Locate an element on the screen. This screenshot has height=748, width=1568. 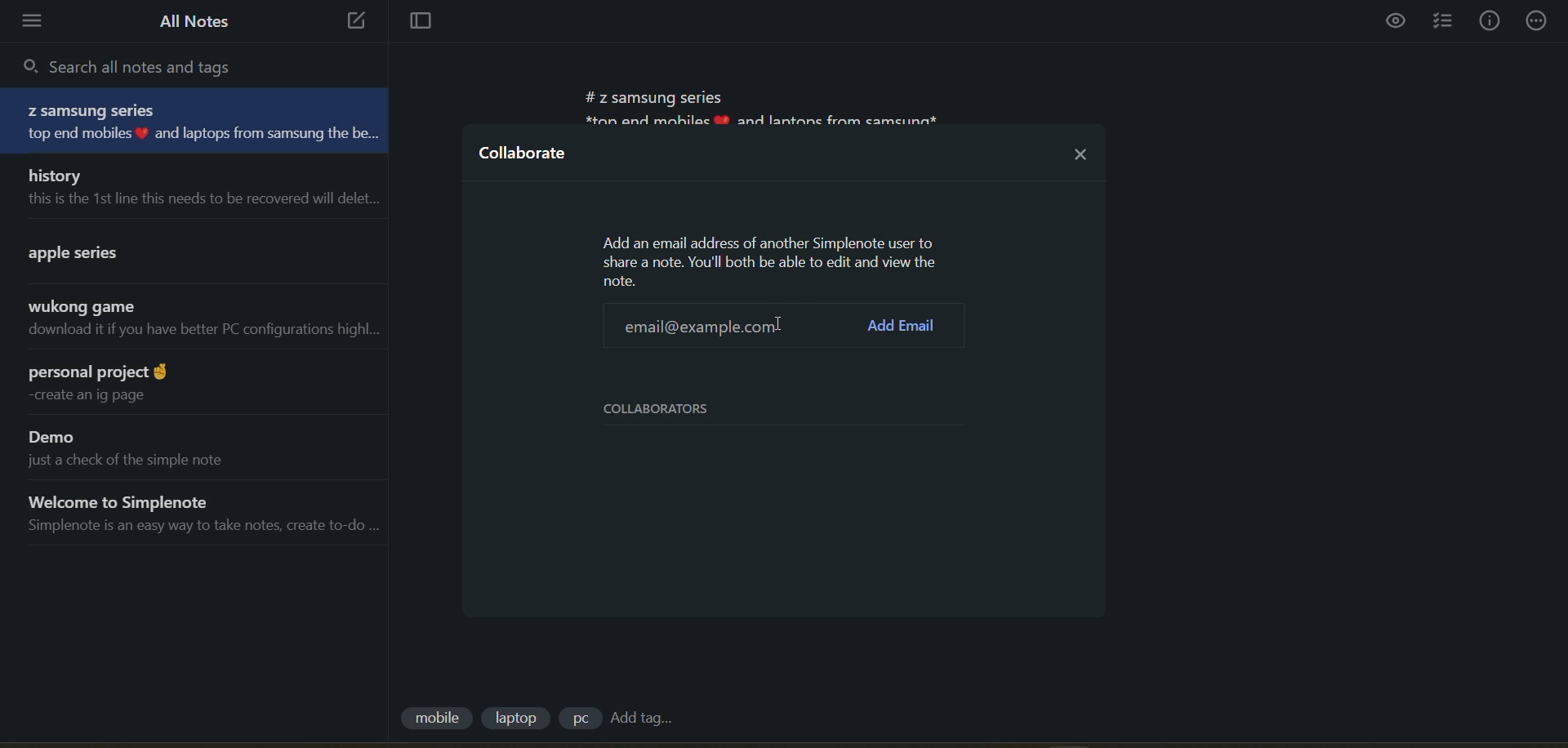
note title and preview is located at coordinates (194, 186).